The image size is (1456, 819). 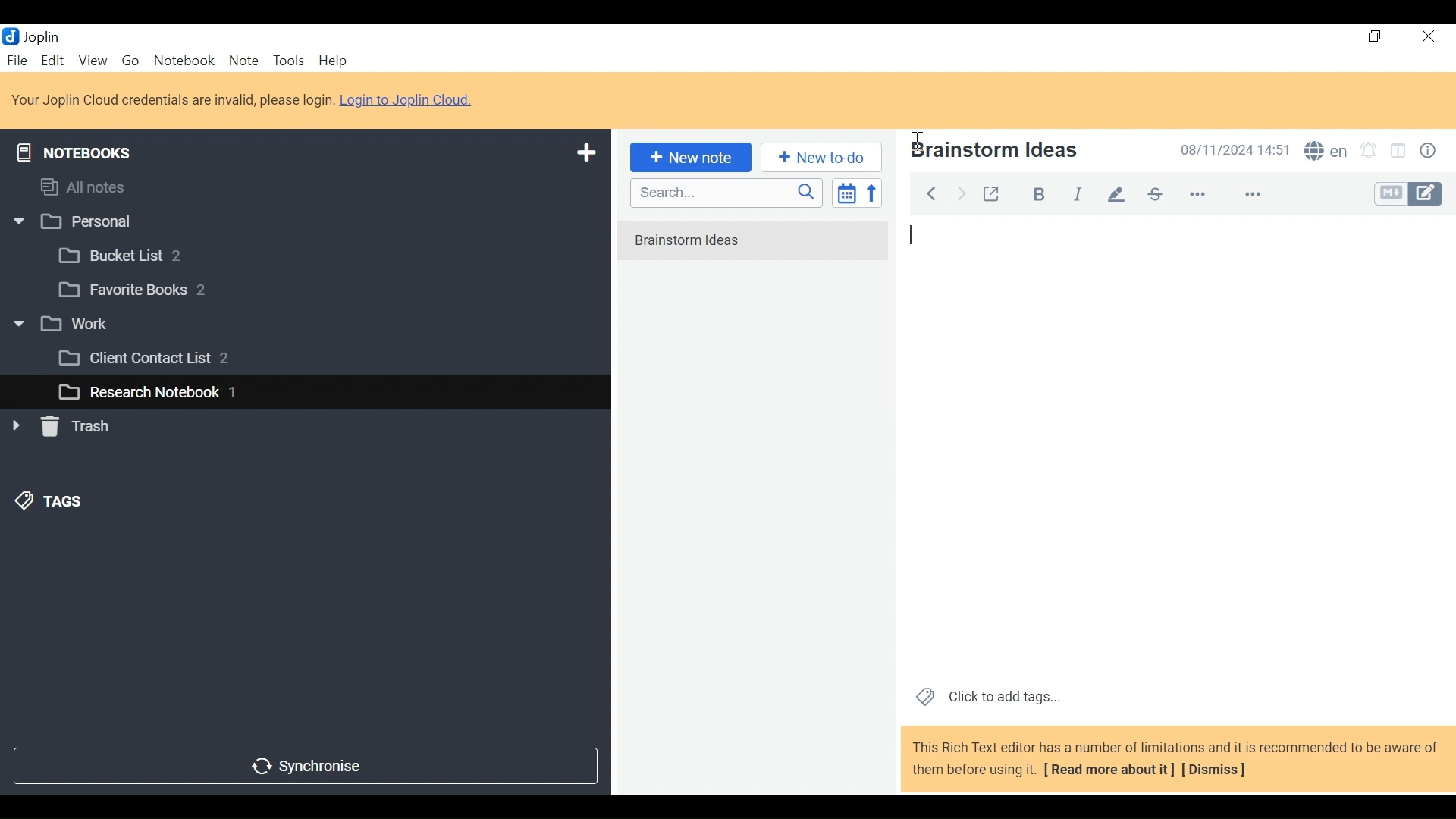 I want to click on feature options, so click(x=1260, y=196).